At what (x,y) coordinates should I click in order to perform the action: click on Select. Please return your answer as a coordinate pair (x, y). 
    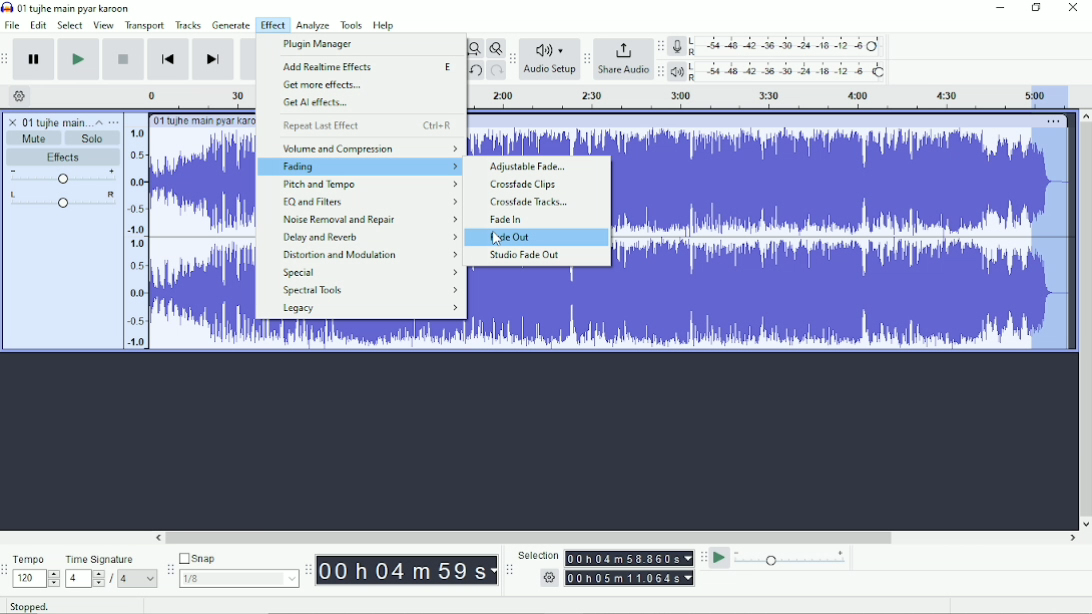
    Looking at the image, I should click on (71, 26).